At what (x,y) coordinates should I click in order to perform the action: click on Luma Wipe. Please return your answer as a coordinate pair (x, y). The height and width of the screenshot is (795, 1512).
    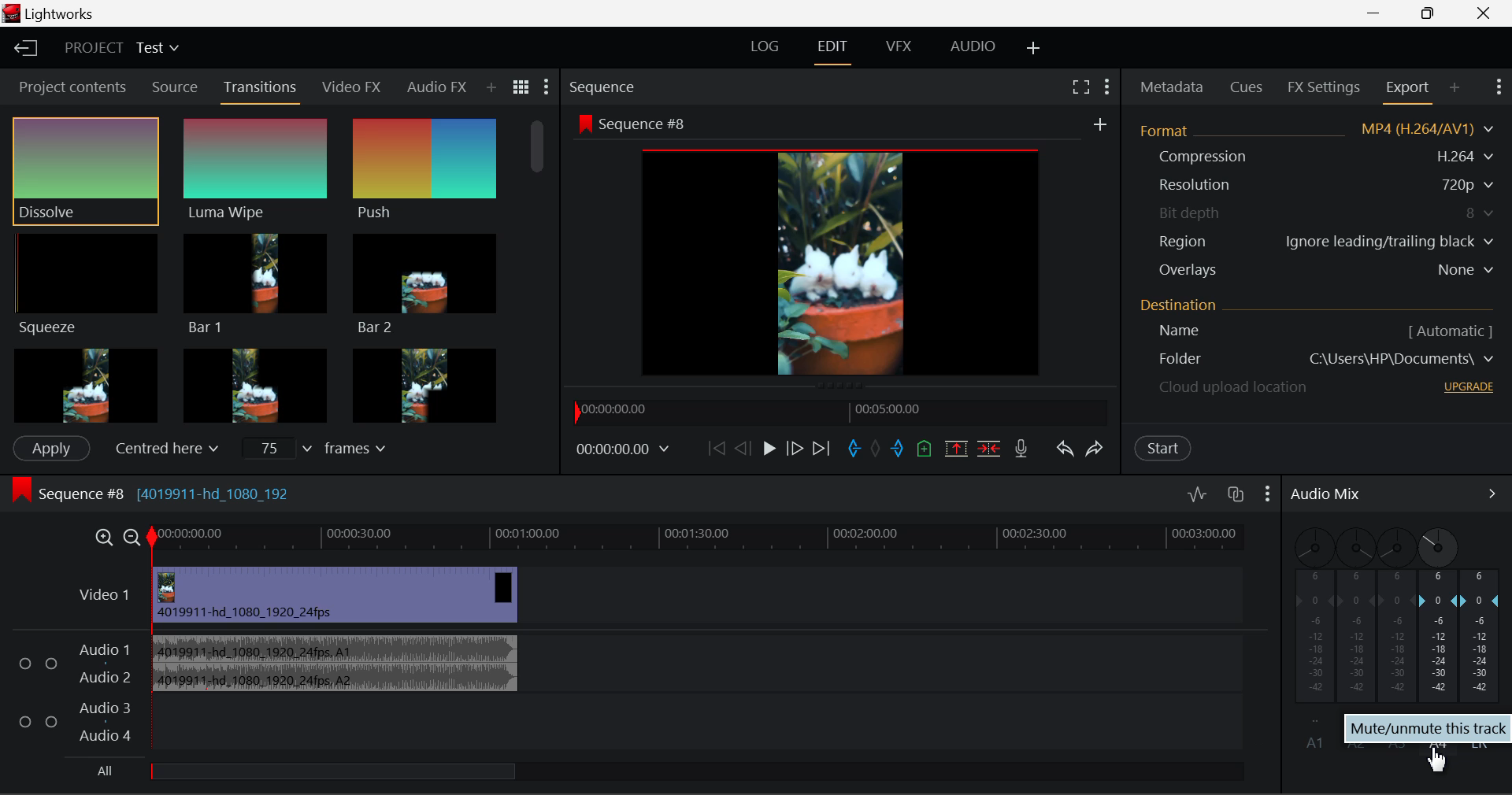
    Looking at the image, I should click on (256, 169).